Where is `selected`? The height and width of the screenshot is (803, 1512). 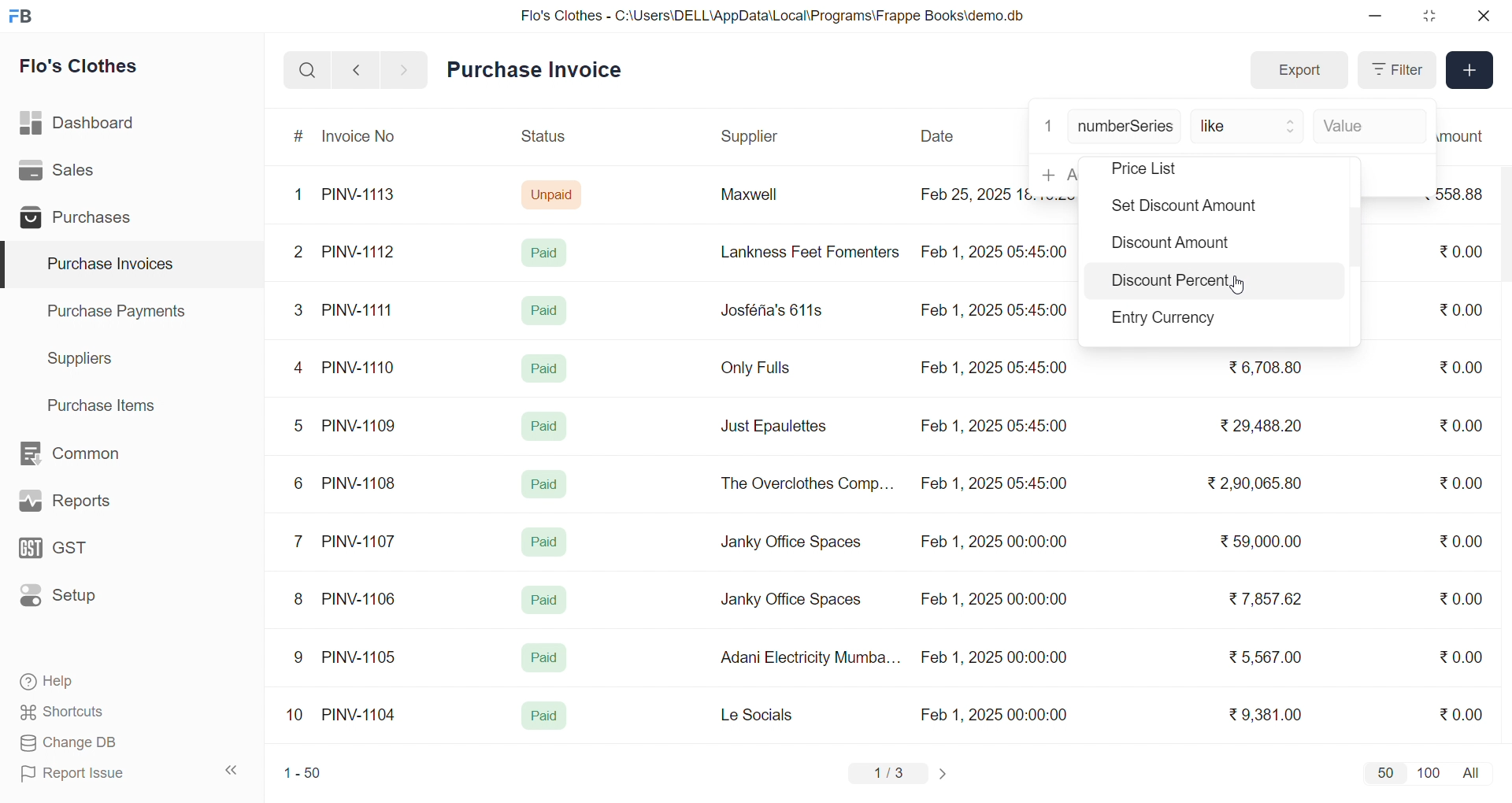 selected is located at coordinates (9, 265).